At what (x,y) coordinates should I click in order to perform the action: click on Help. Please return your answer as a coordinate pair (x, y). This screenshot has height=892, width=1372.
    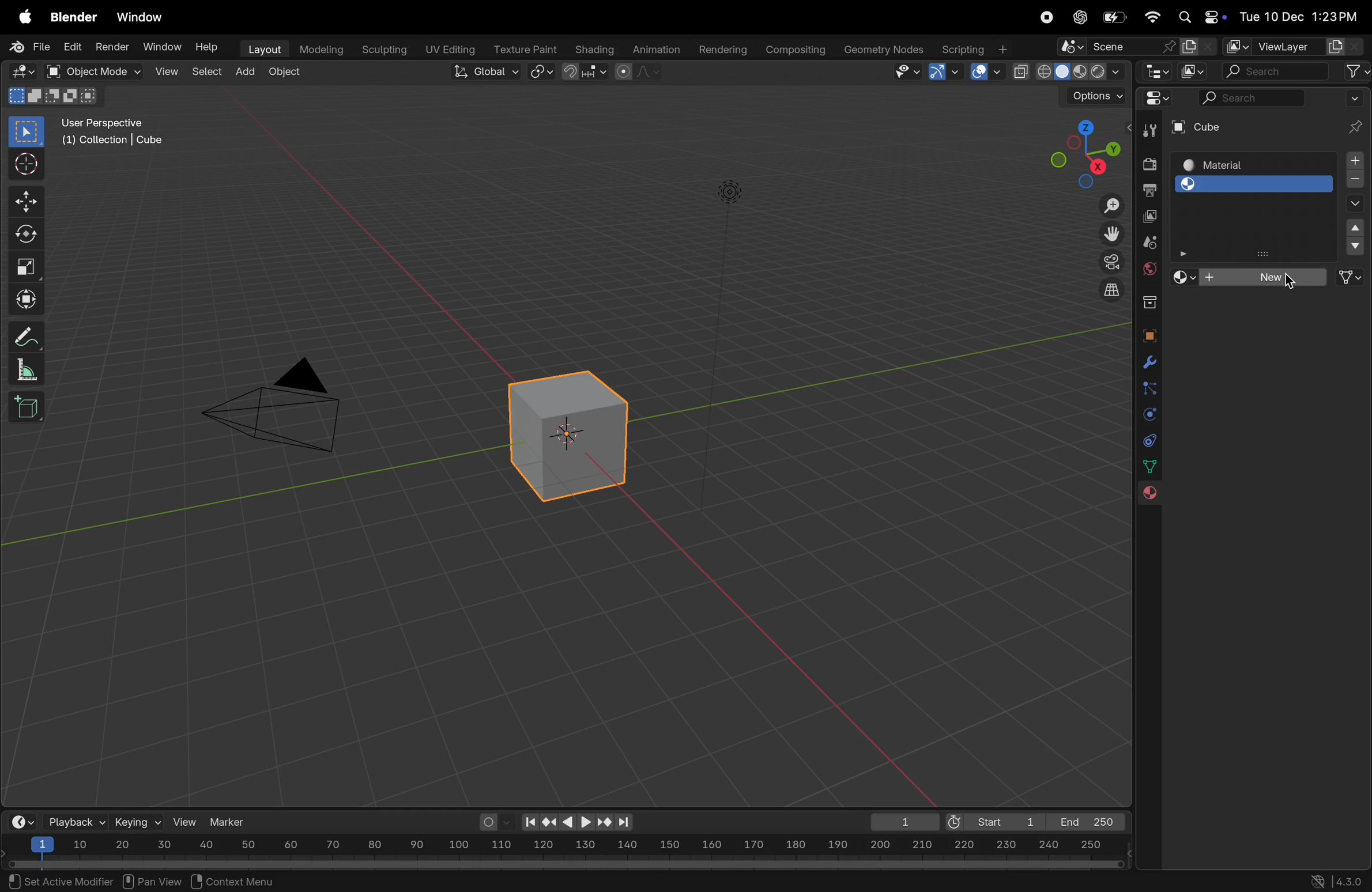
    Looking at the image, I should click on (209, 48).